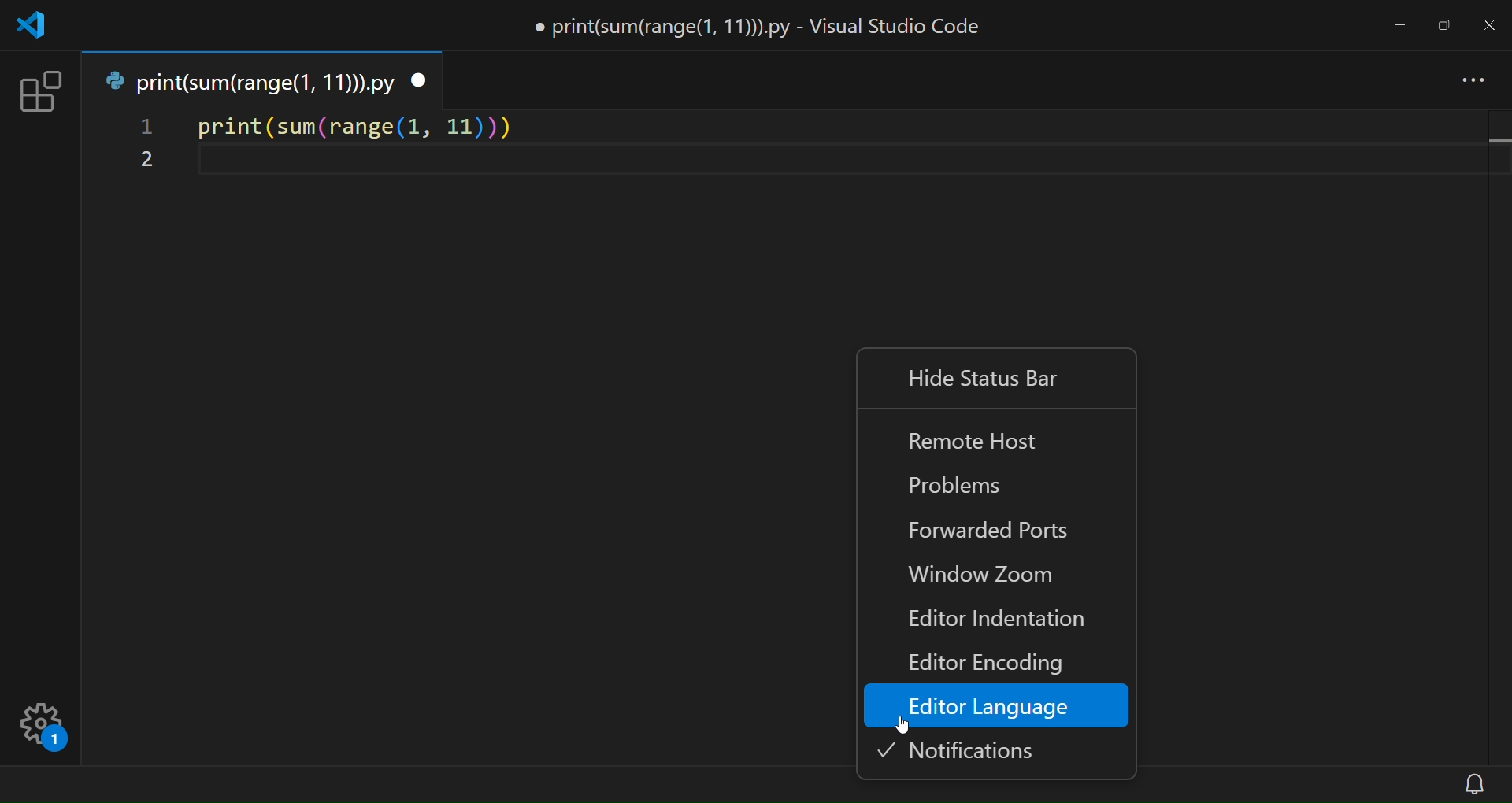  What do you see at coordinates (976, 750) in the screenshot?
I see `notifications` at bounding box center [976, 750].